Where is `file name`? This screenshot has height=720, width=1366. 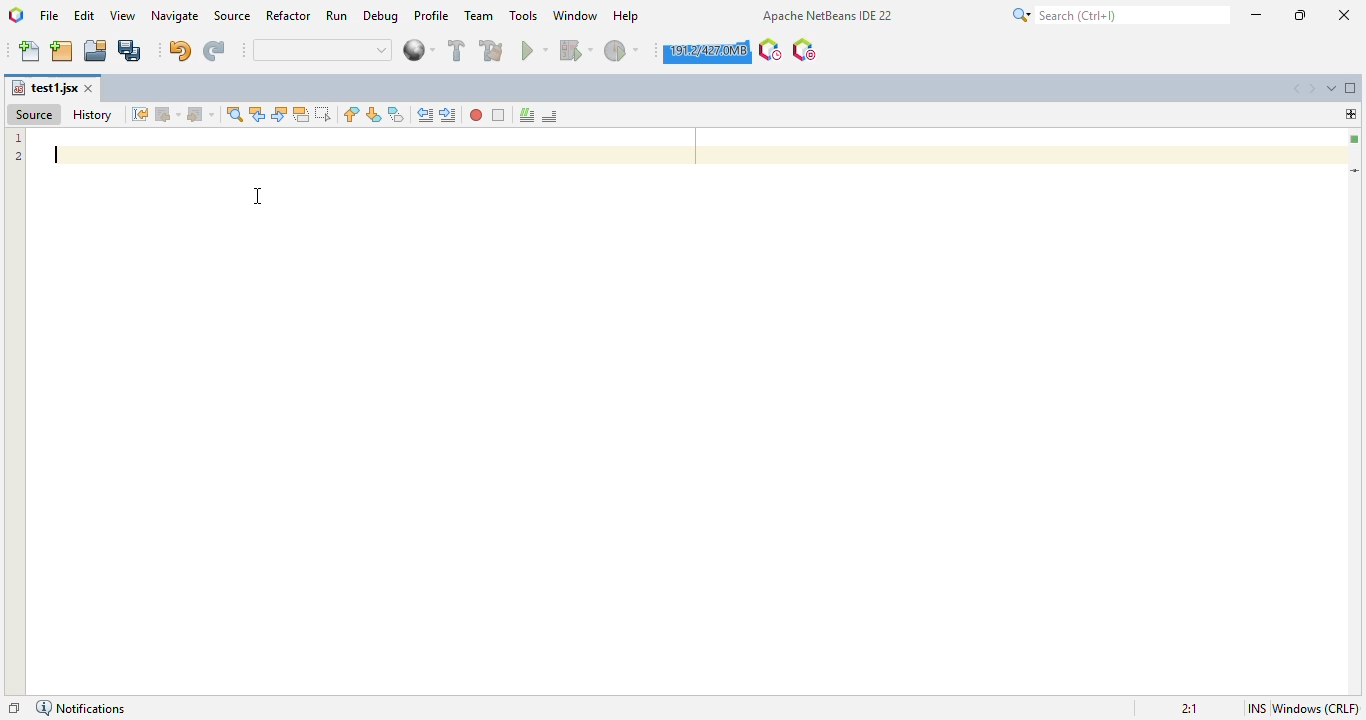 file name is located at coordinates (44, 88).